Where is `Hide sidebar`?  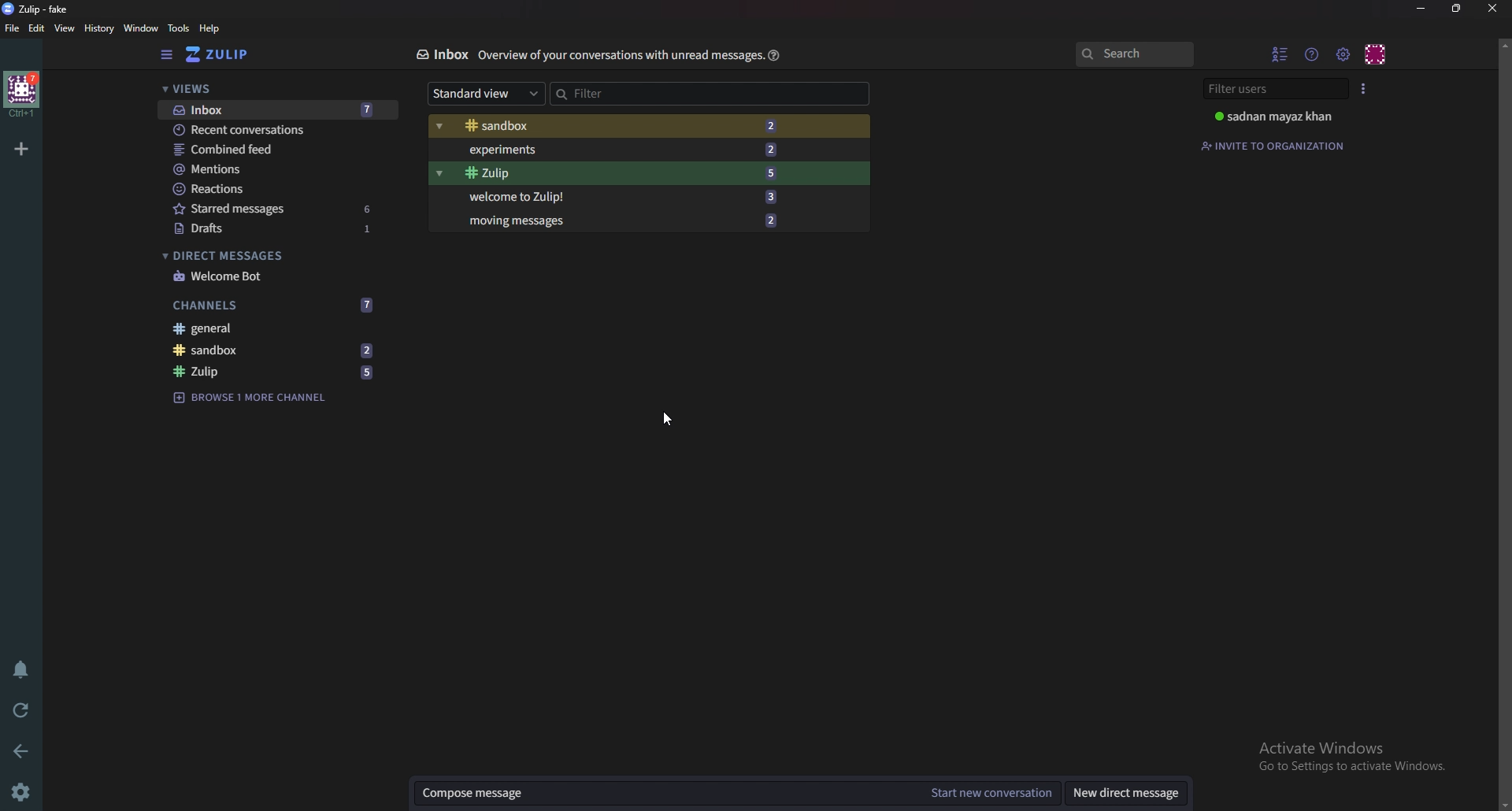 Hide sidebar is located at coordinates (167, 55).